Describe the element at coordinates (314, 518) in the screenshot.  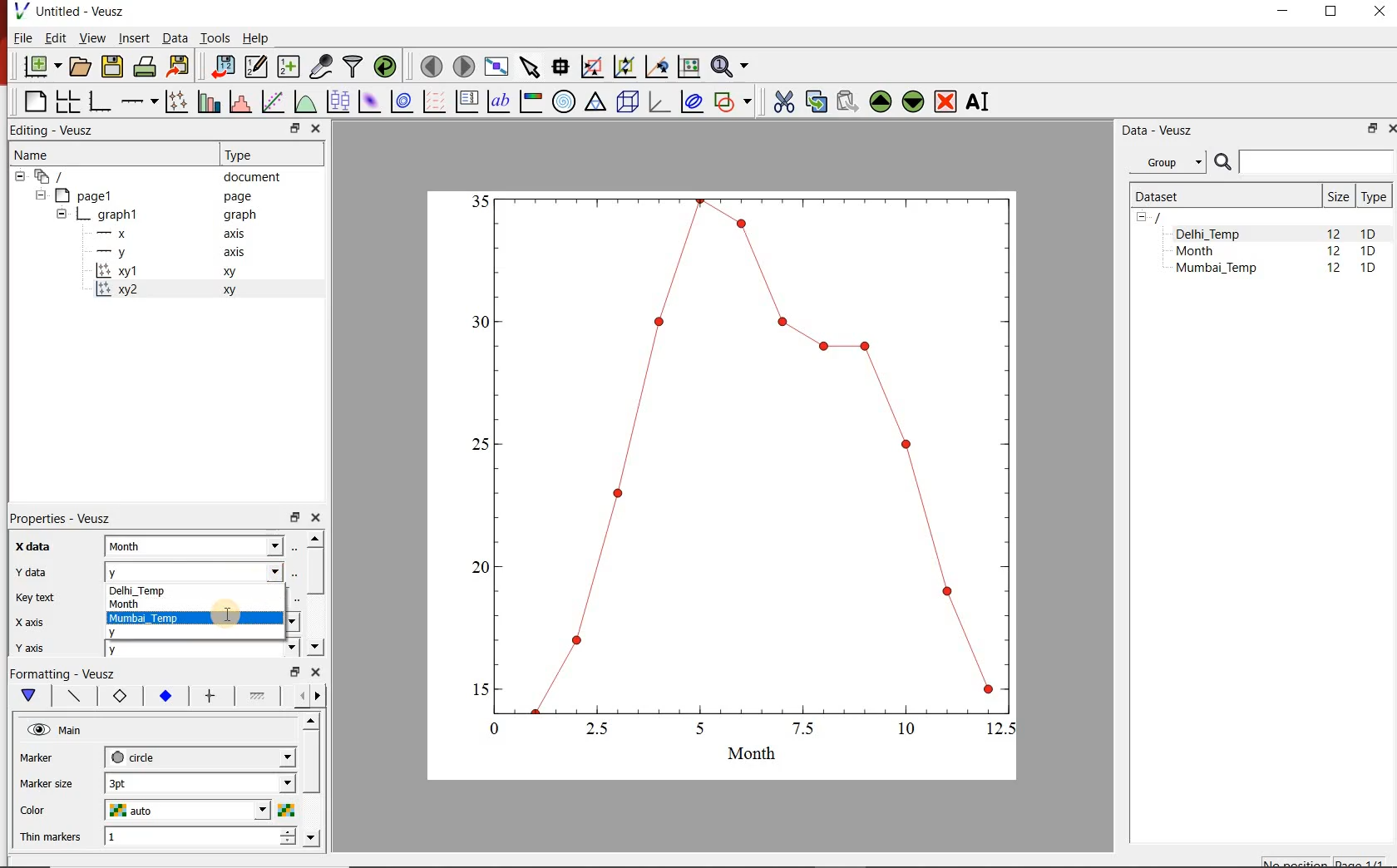
I see `close` at that location.